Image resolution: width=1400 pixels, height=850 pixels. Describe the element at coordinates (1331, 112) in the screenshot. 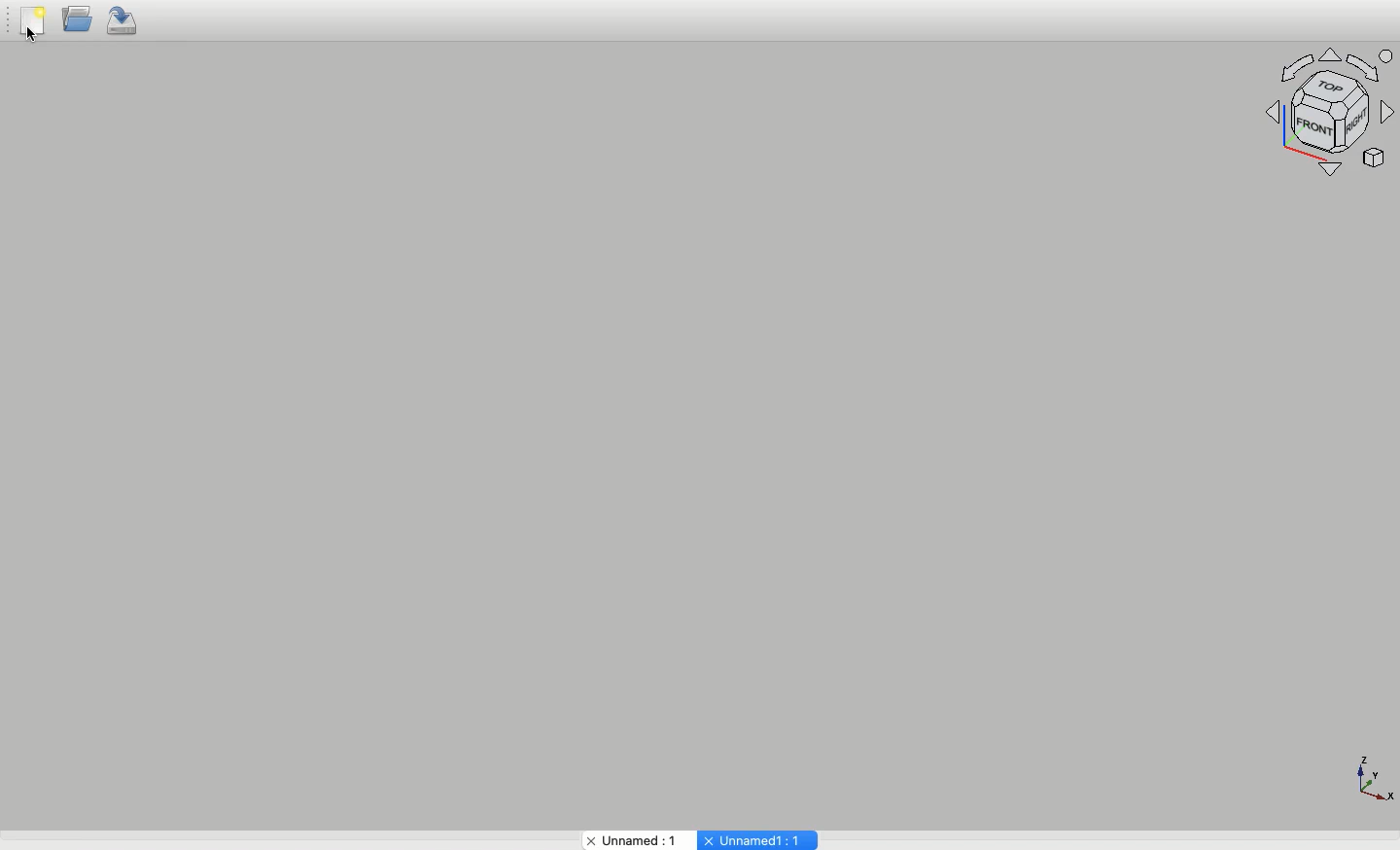

I see `Navigation styles` at that location.